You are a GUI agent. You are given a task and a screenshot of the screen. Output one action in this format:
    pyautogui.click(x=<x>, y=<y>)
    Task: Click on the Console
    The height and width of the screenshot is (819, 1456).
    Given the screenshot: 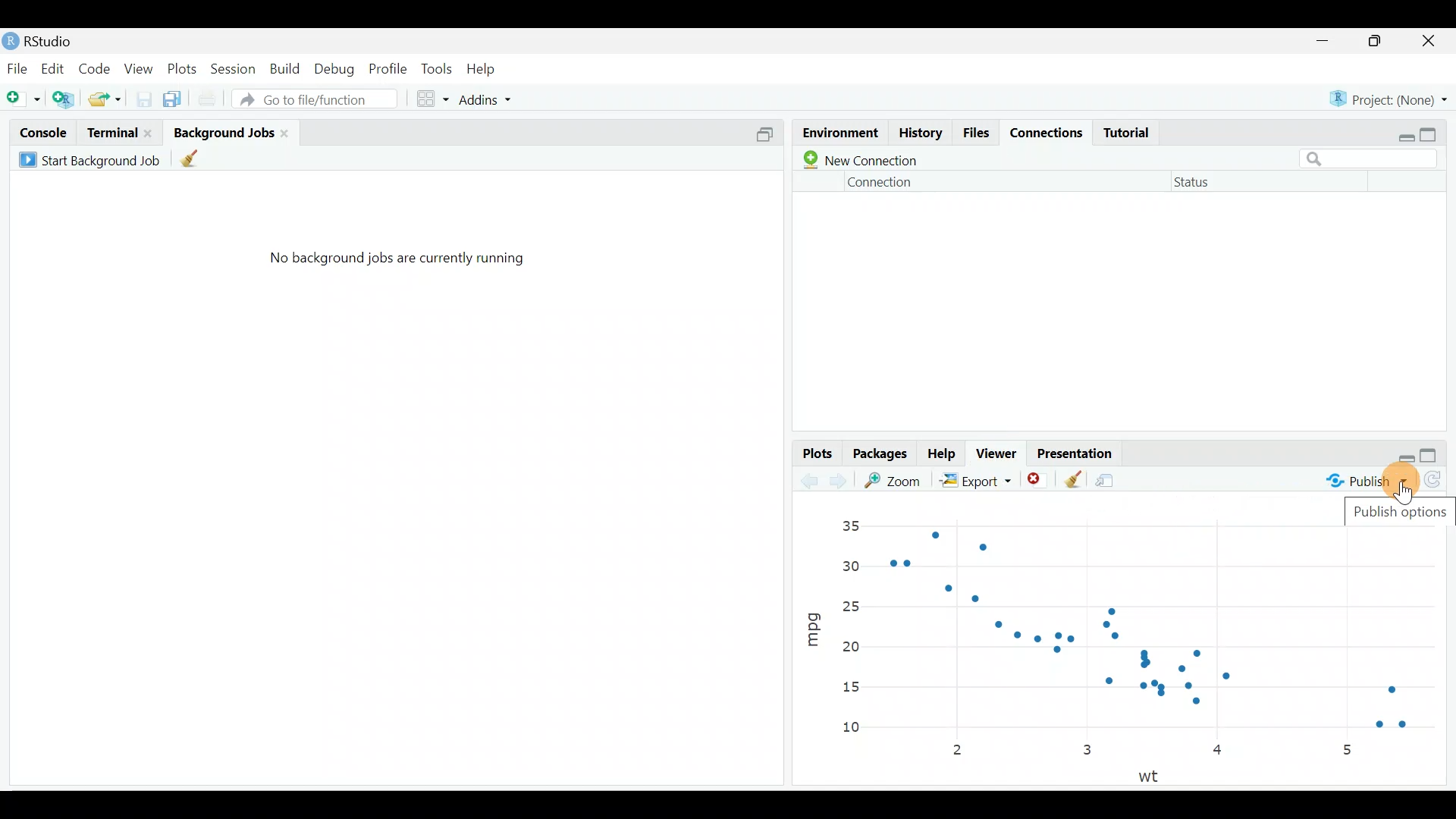 What is the action you would take?
    pyautogui.click(x=42, y=132)
    